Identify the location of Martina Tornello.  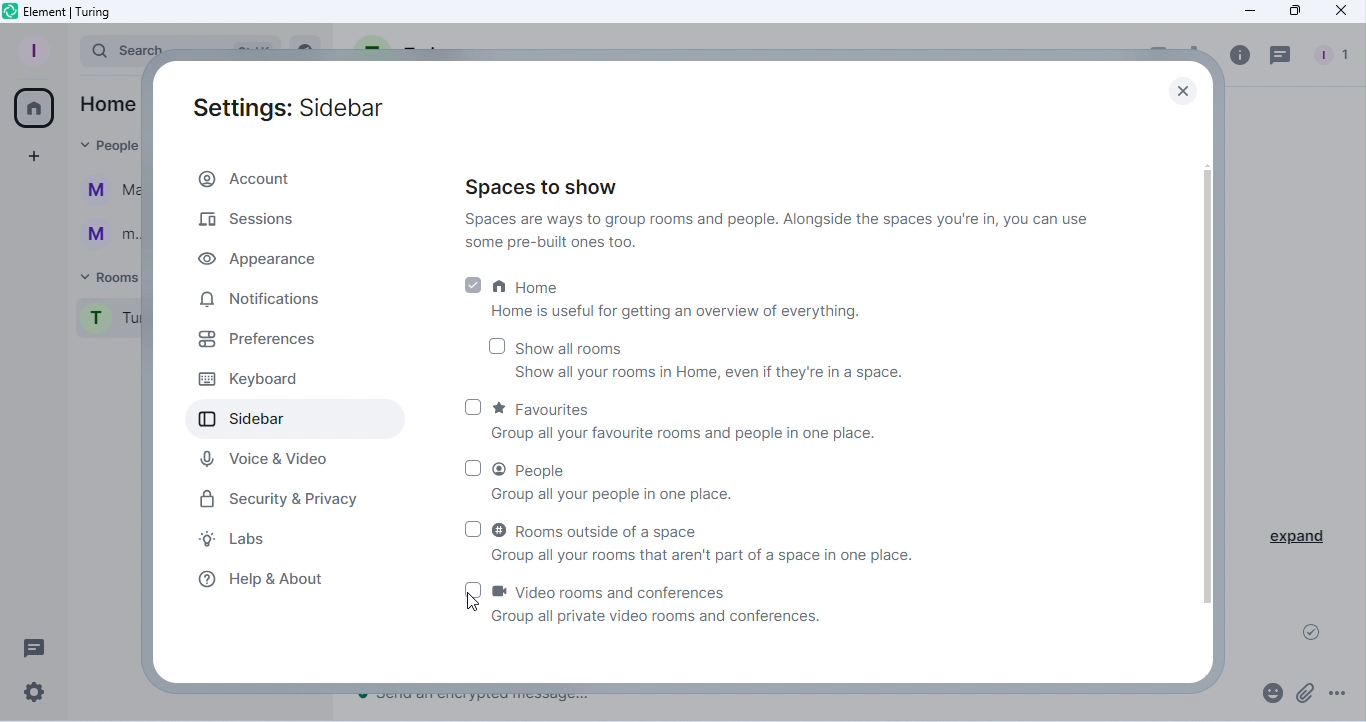
(109, 194).